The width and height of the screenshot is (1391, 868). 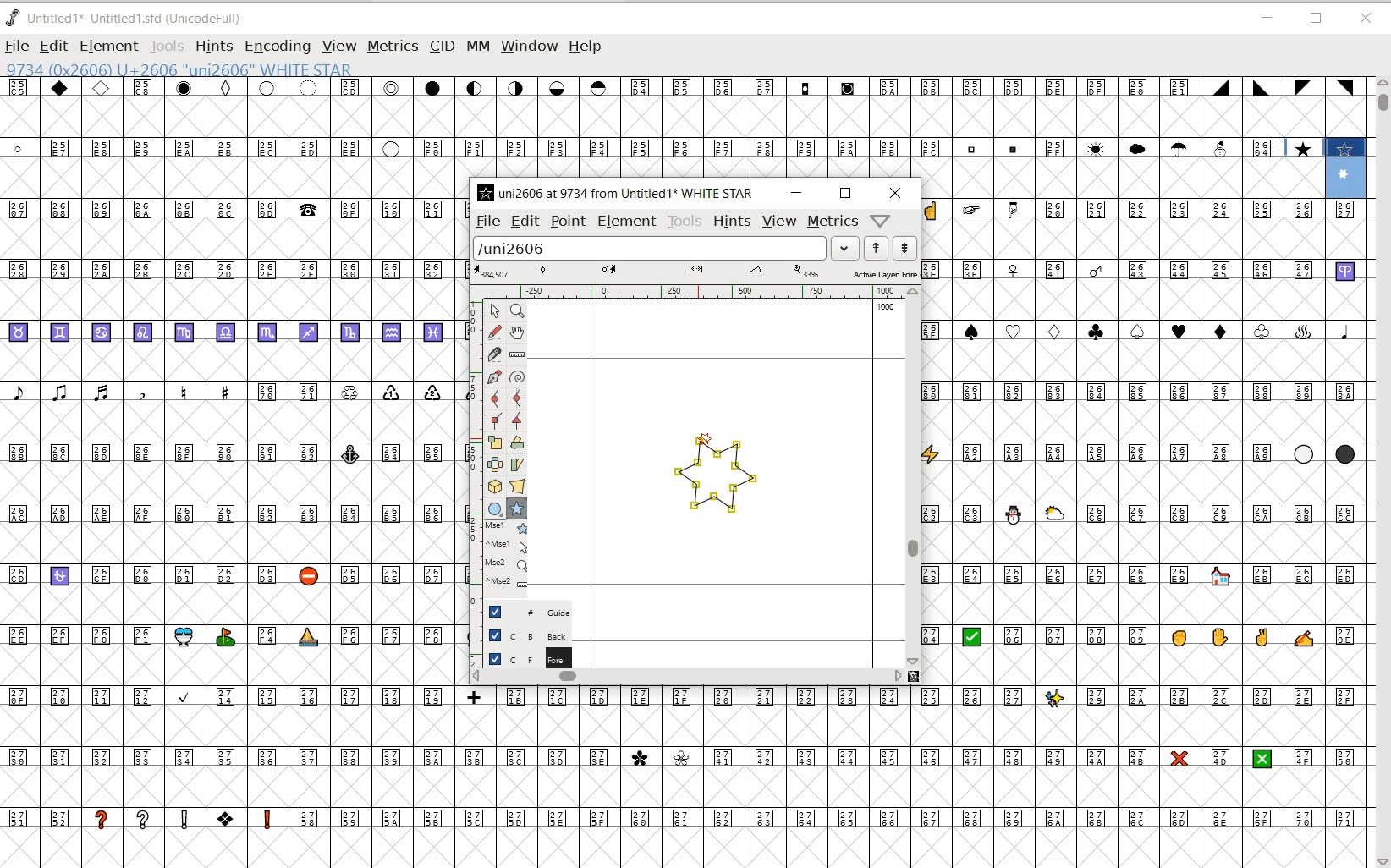 I want to click on OCCURENCES OF EDITING TOOLS ON THE WINDOW, so click(x=508, y=555).